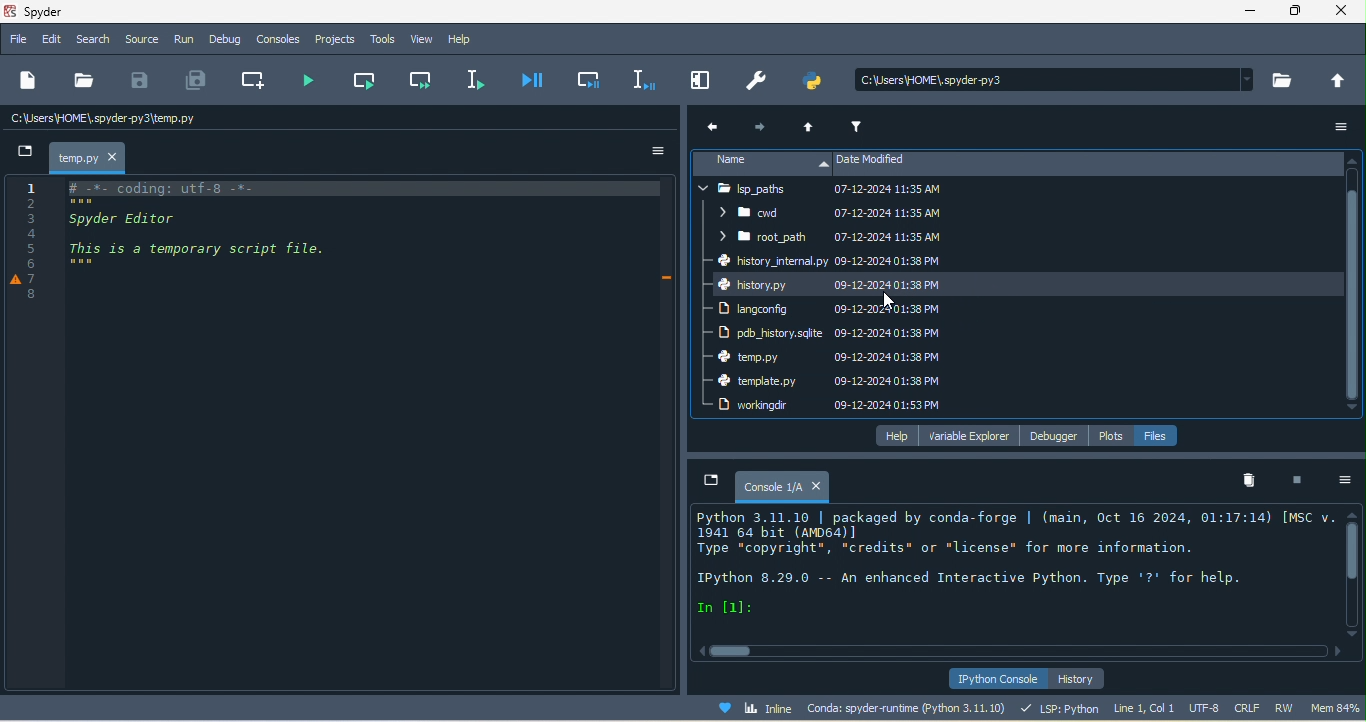  What do you see at coordinates (1344, 481) in the screenshot?
I see `option` at bounding box center [1344, 481].